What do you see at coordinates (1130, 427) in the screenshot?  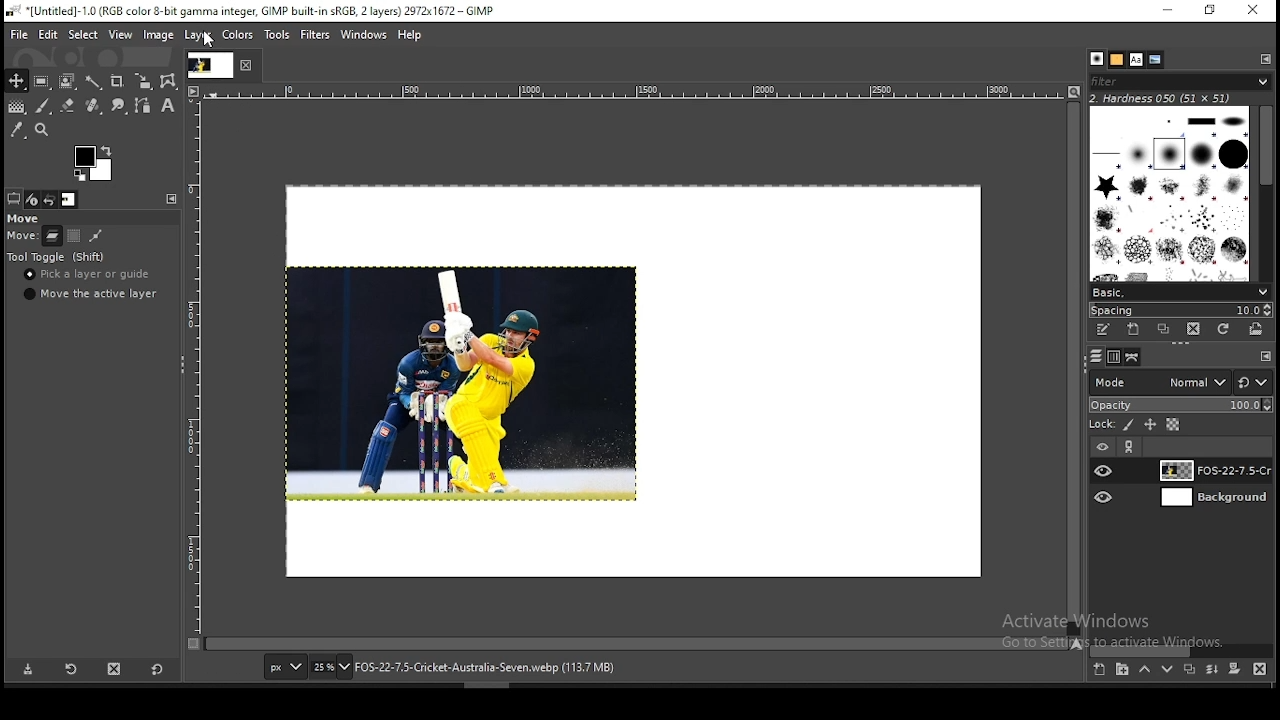 I see `lock pixels` at bounding box center [1130, 427].